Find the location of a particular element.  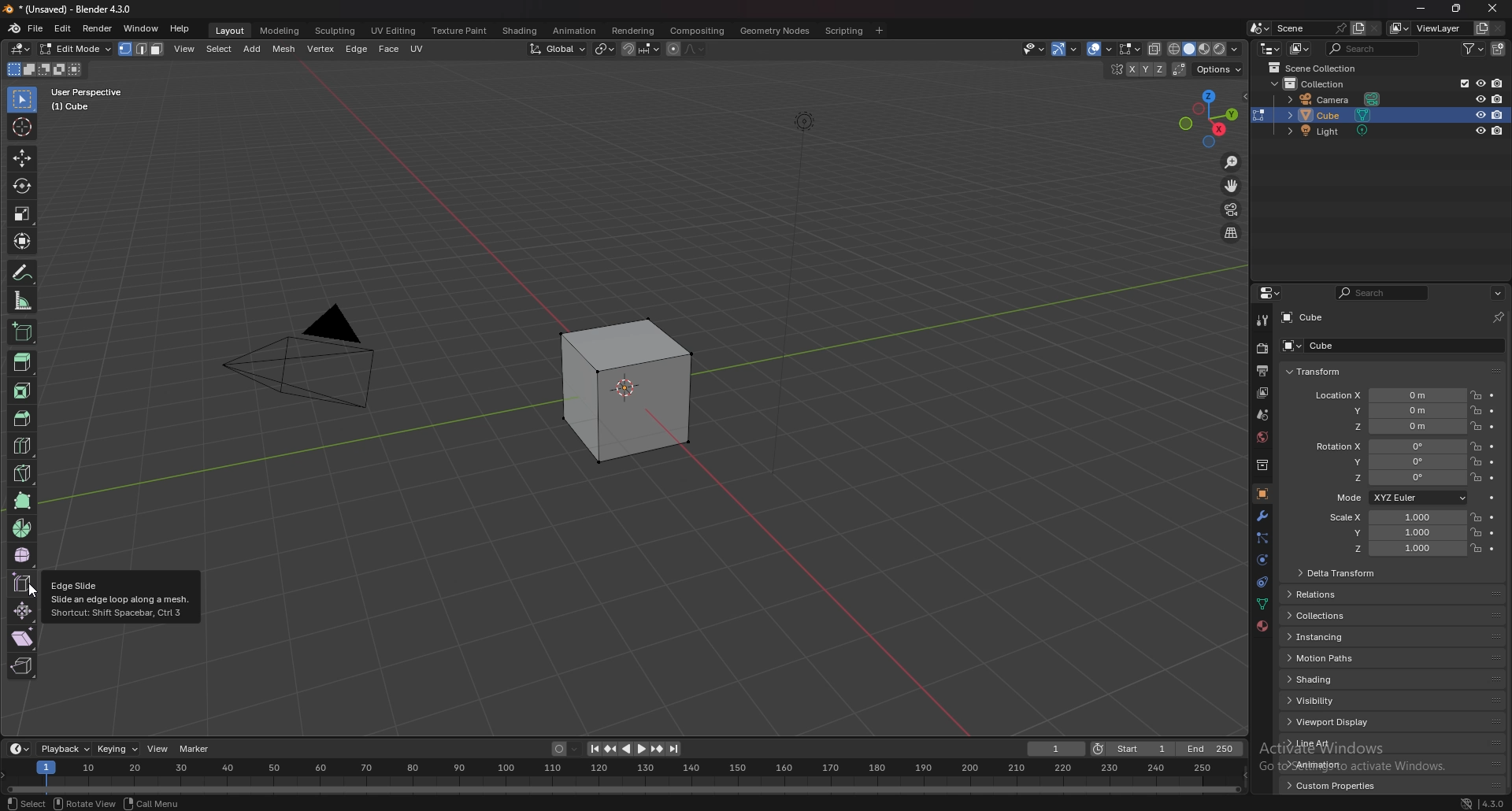

camera view is located at coordinates (1232, 209).